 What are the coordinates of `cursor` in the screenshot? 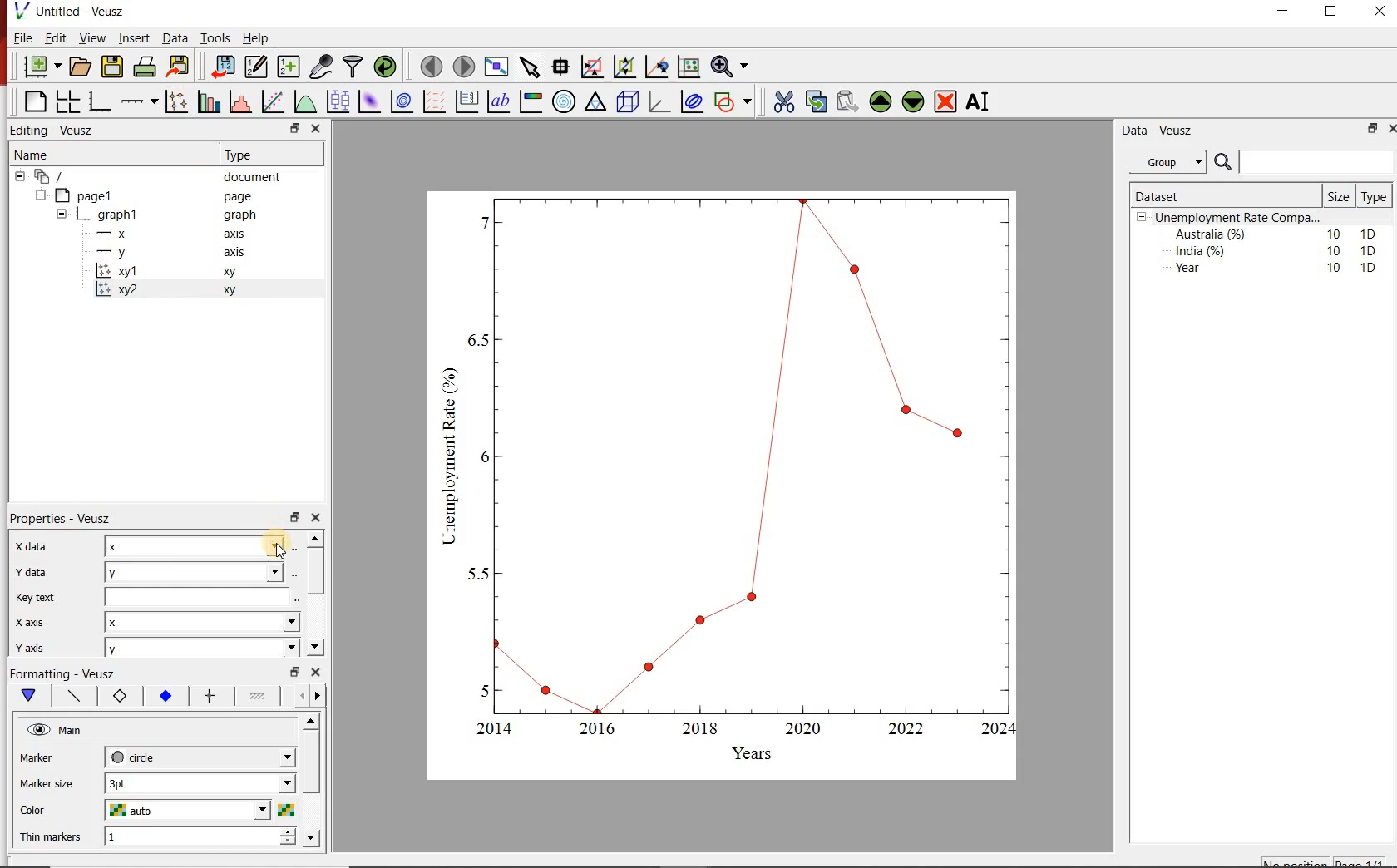 It's located at (283, 558).